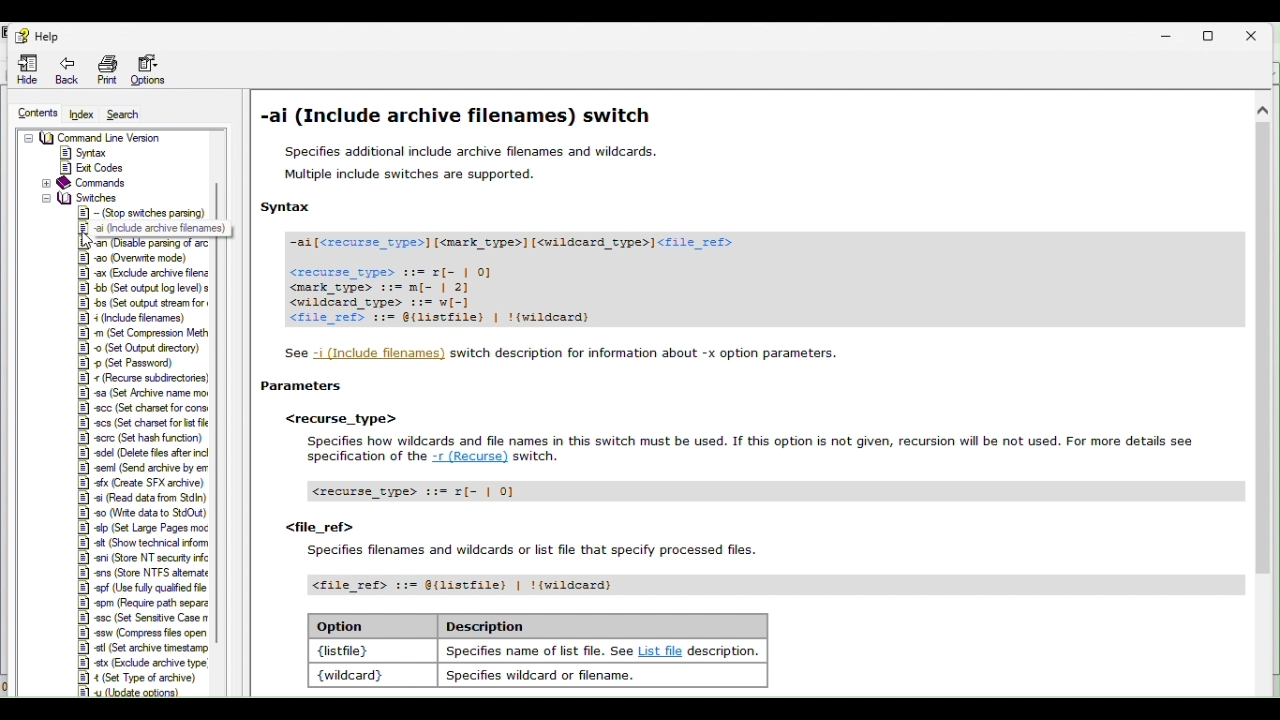 The width and height of the screenshot is (1280, 720). What do you see at coordinates (144, 527) in the screenshot?
I see `set large pages` at bounding box center [144, 527].